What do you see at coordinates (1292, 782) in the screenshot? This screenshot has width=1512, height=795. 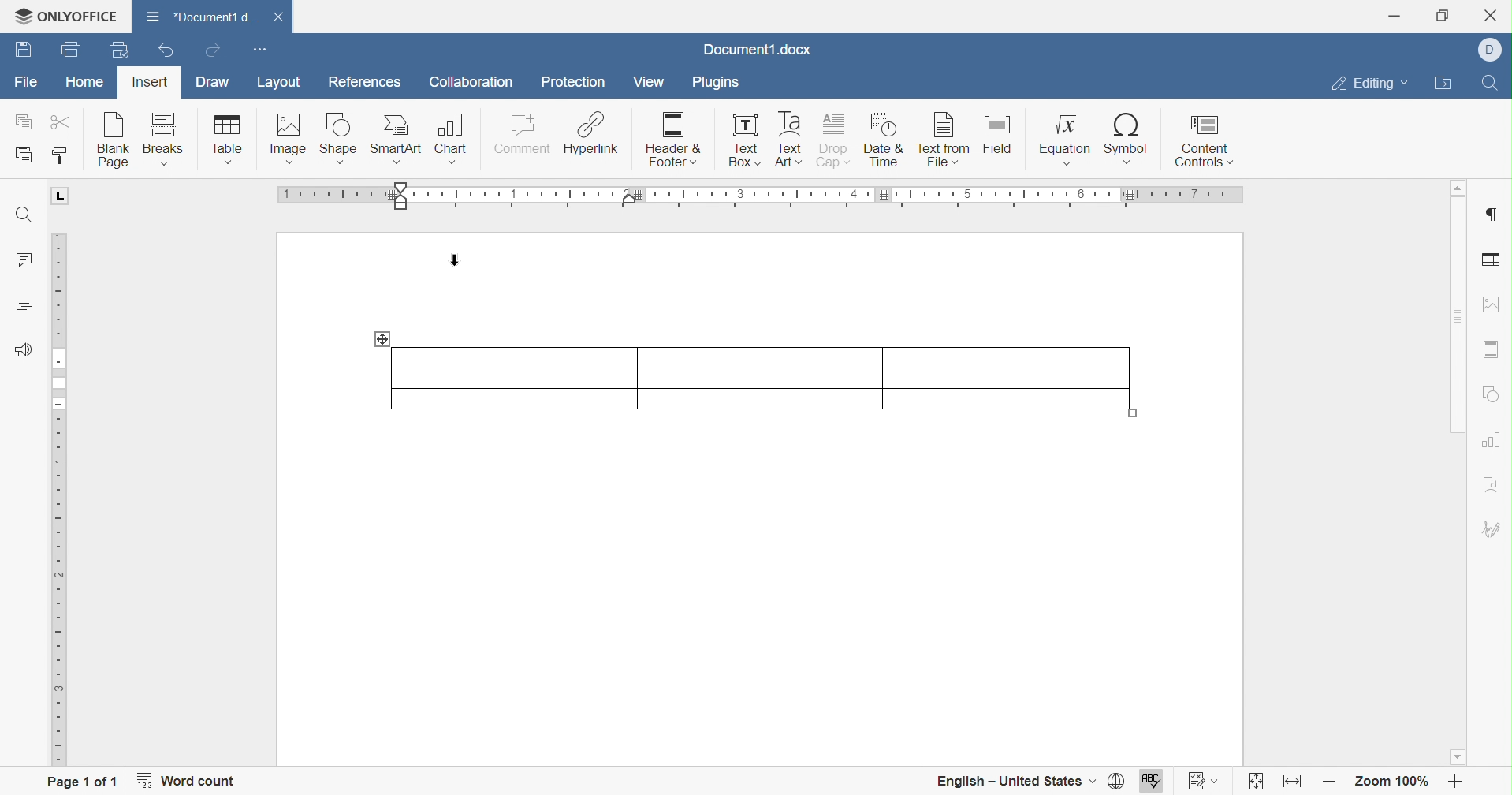 I see `Fit to width` at bounding box center [1292, 782].